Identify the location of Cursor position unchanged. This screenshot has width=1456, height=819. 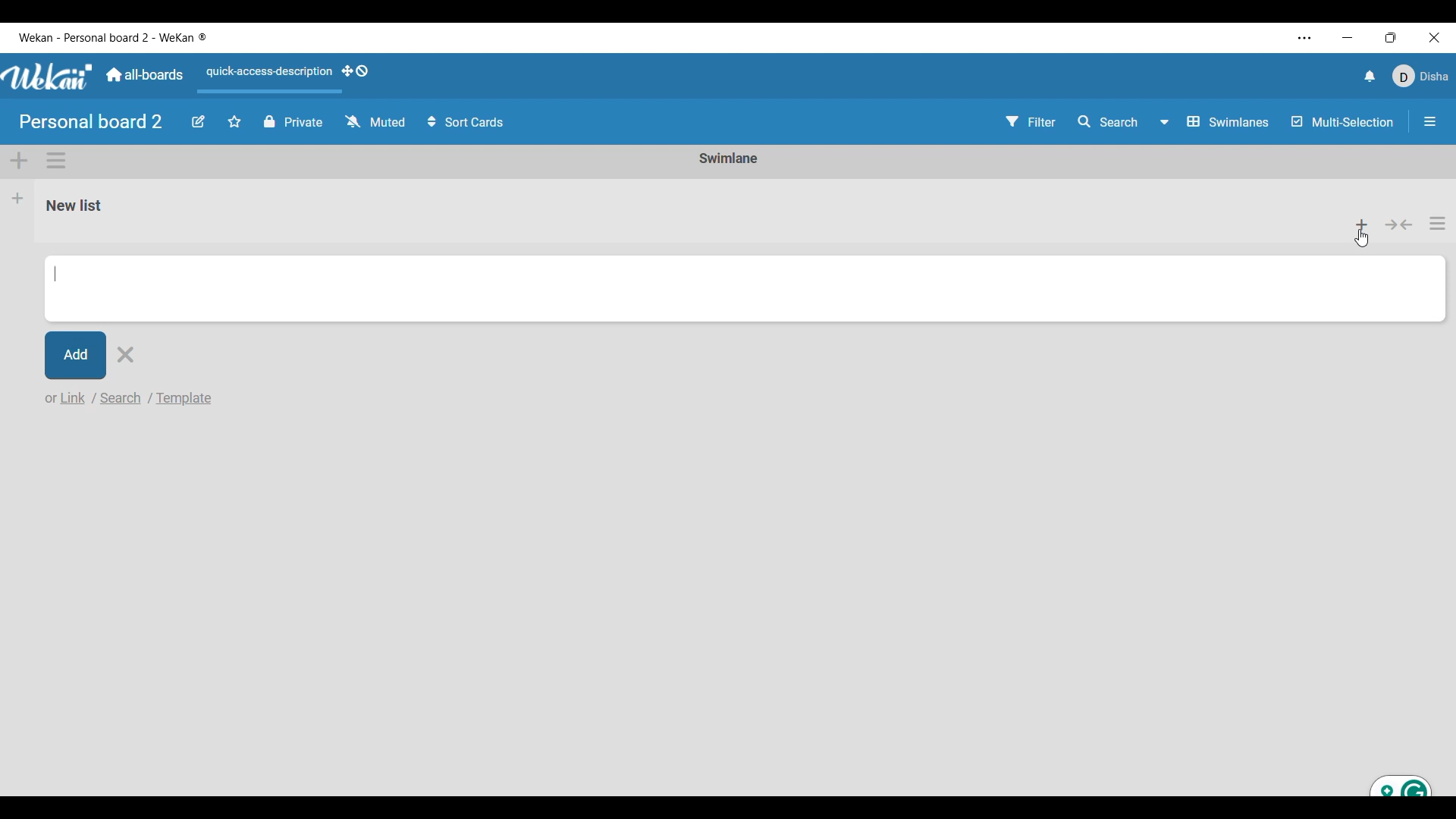
(1365, 241).